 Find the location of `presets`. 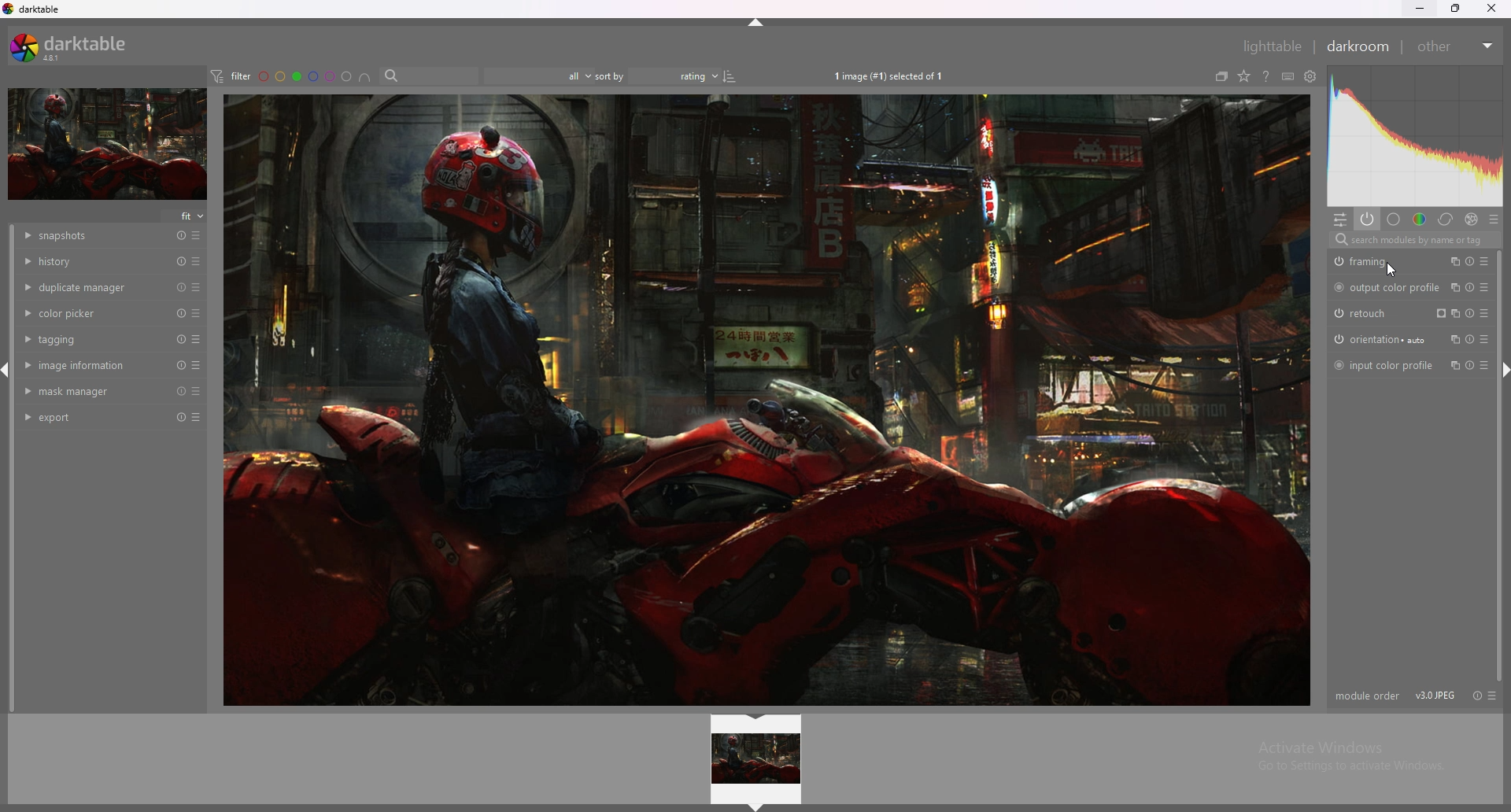

presets is located at coordinates (197, 261).